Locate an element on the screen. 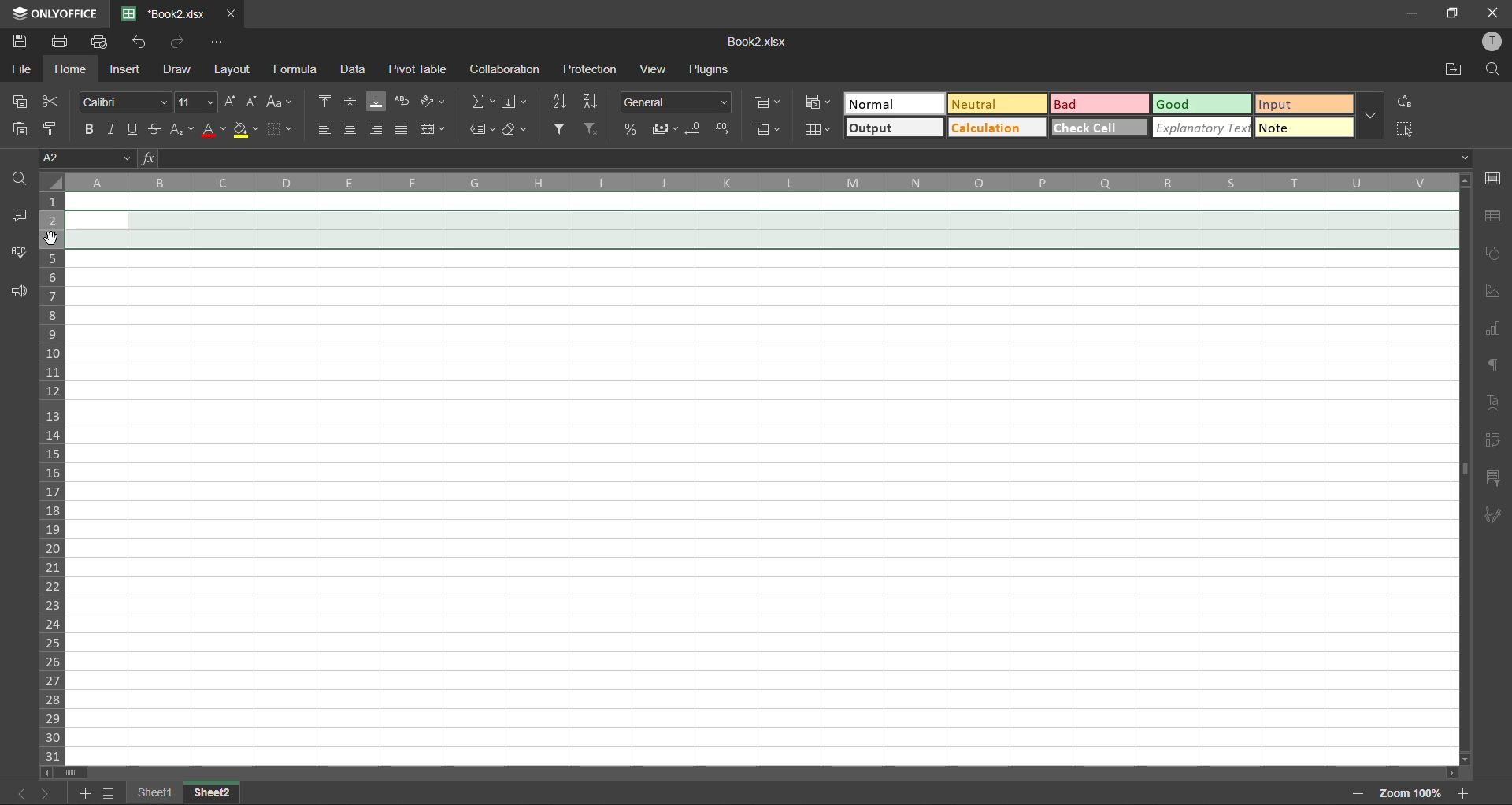 The width and height of the screenshot is (1512, 805). zoom in is located at coordinates (1462, 792).